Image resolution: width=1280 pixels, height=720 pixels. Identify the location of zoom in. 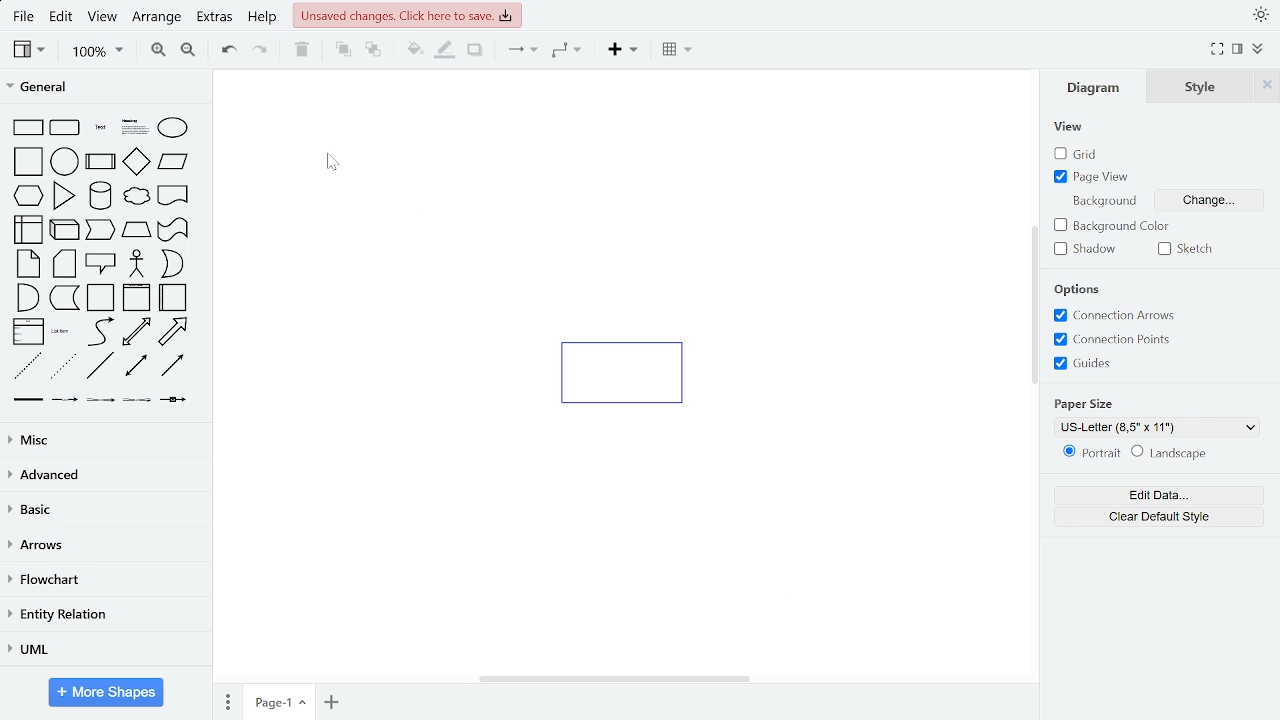
(155, 52).